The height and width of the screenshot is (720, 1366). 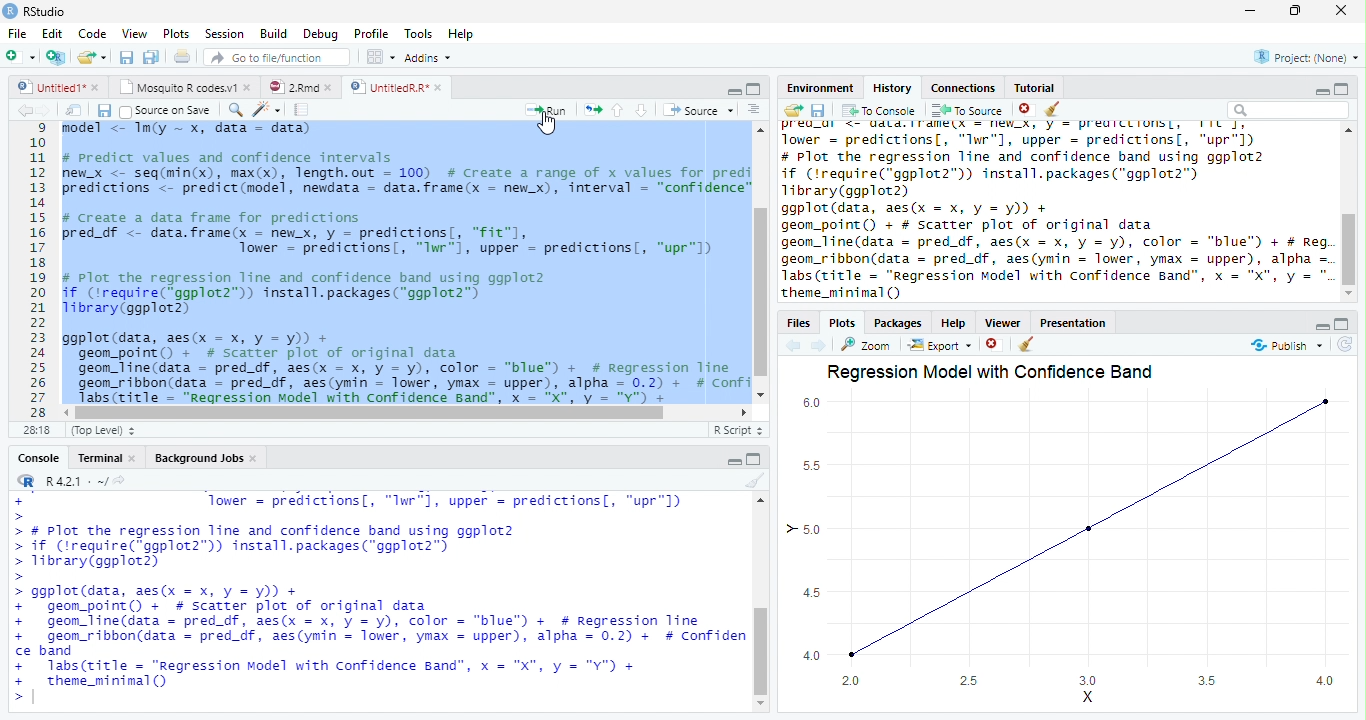 What do you see at coordinates (699, 111) in the screenshot?
I see `Source` at bounding box center [699, 111].